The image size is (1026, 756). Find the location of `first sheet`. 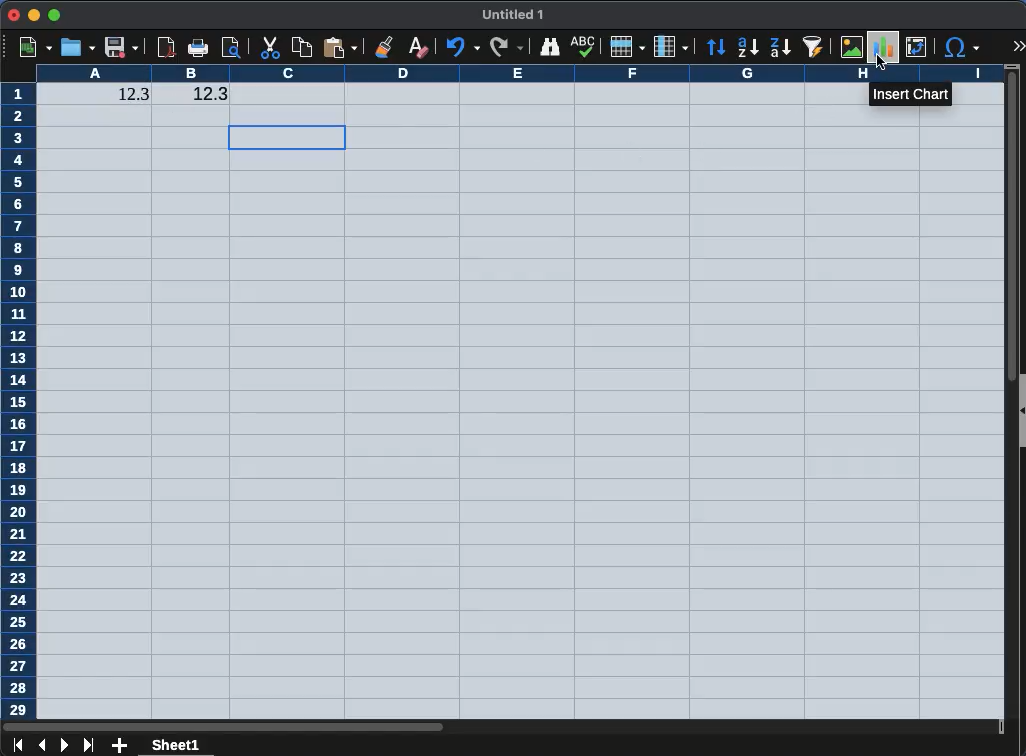

first sheet is located at coordinates (18, 745).